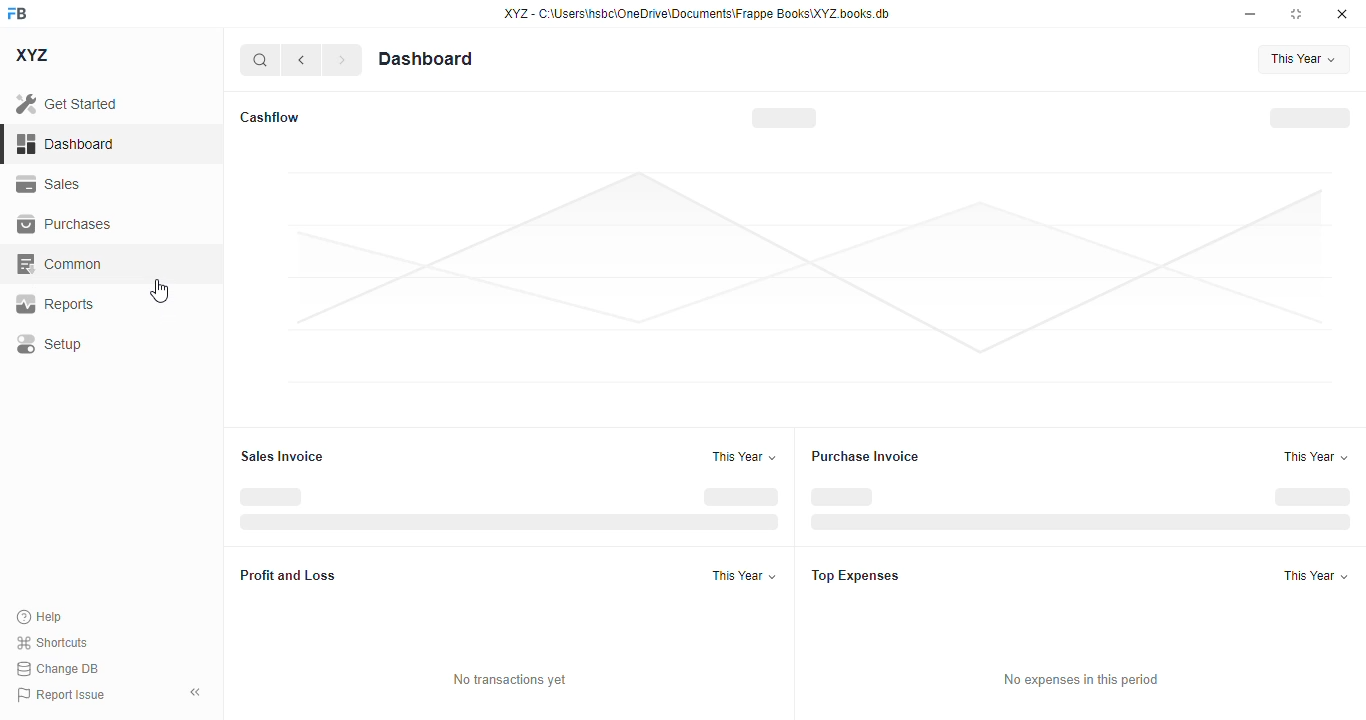 The image size is (1366, 720). Describe the element at coordinates (58, 668) in the screenshot. I see `change DB` at that location.